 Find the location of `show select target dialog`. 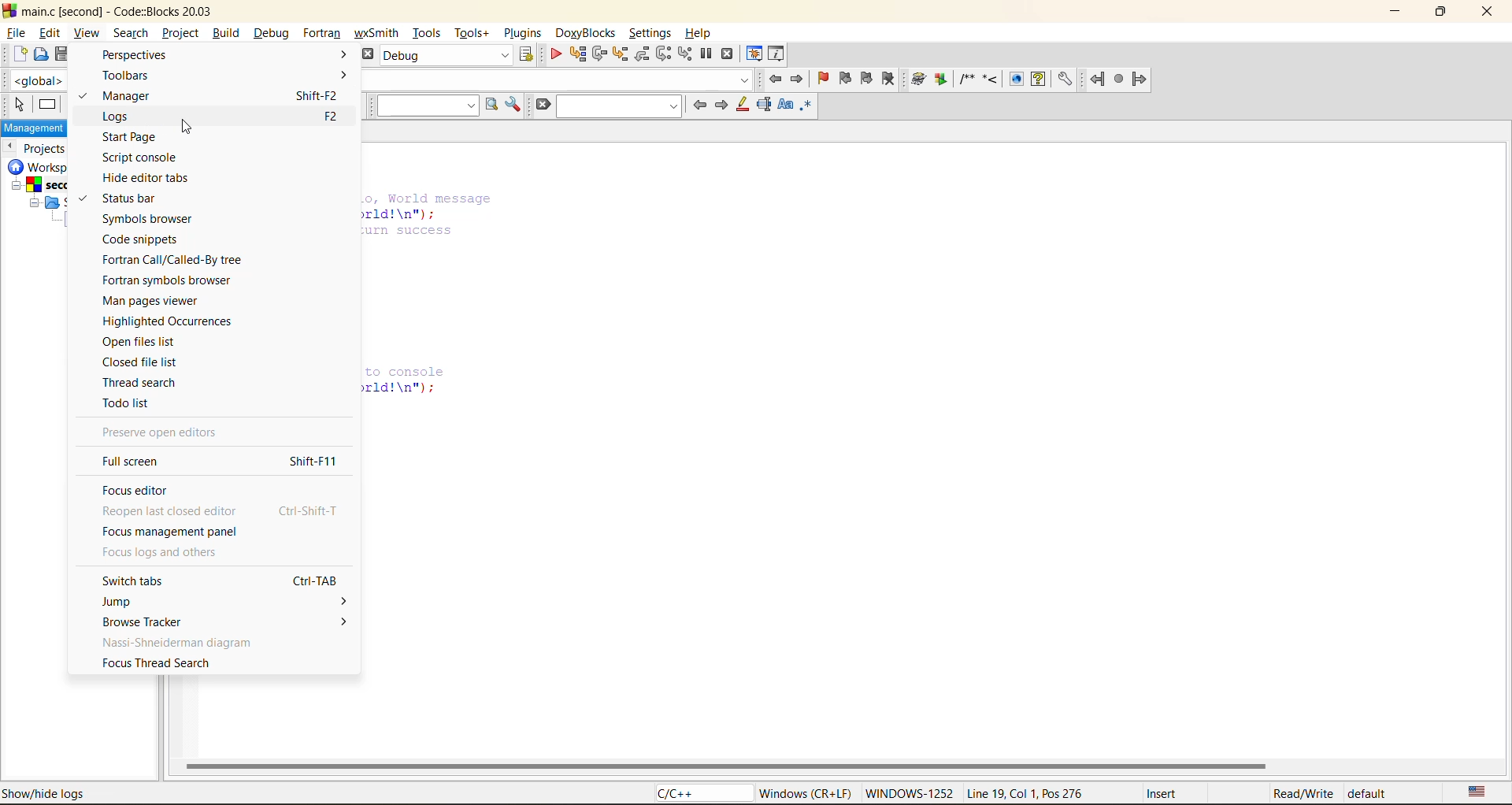

show select target dialog is located at coordinates (524, 54).